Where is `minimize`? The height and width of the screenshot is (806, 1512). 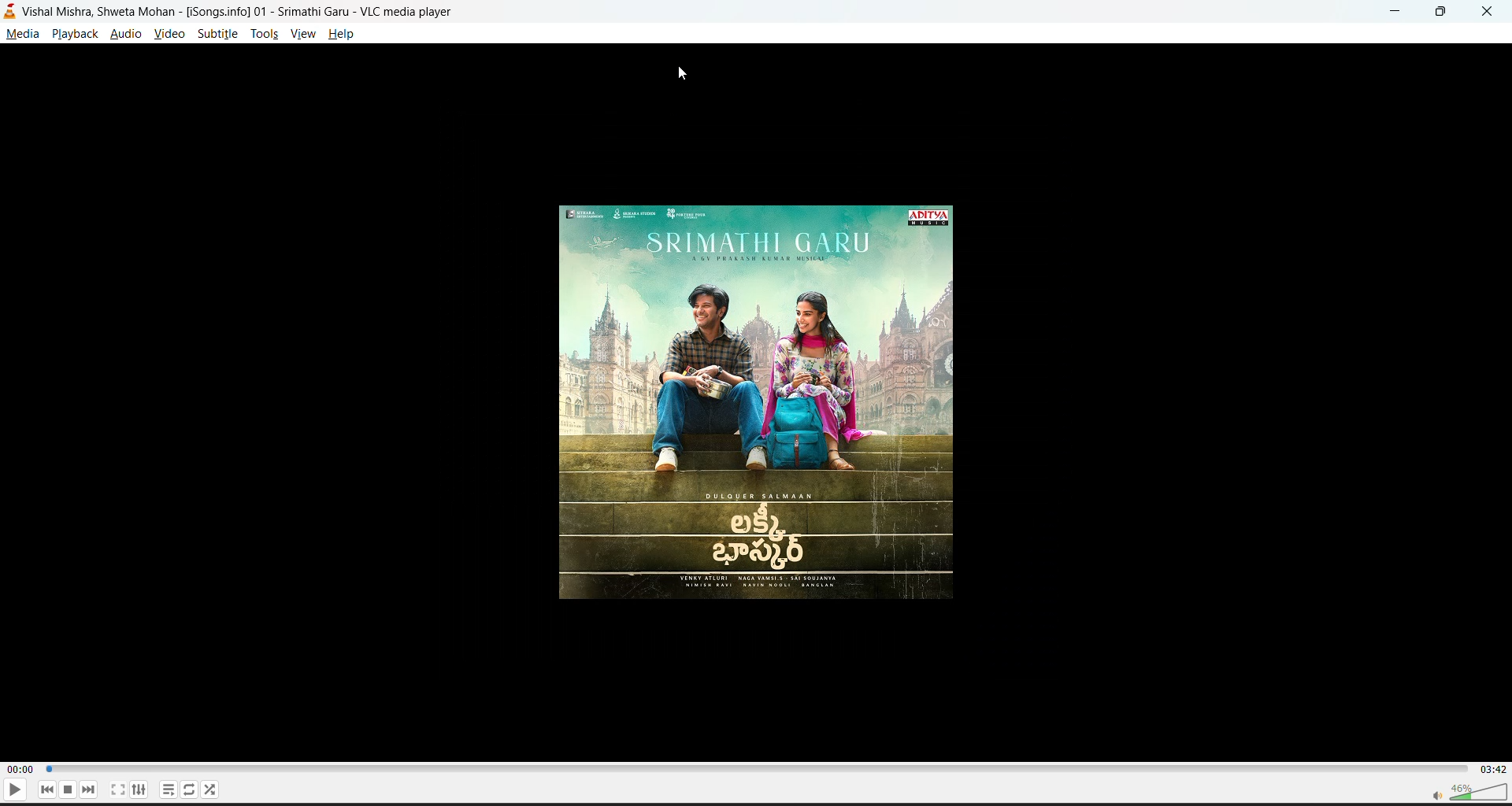
minimize is located at coordinates (1396, 12).